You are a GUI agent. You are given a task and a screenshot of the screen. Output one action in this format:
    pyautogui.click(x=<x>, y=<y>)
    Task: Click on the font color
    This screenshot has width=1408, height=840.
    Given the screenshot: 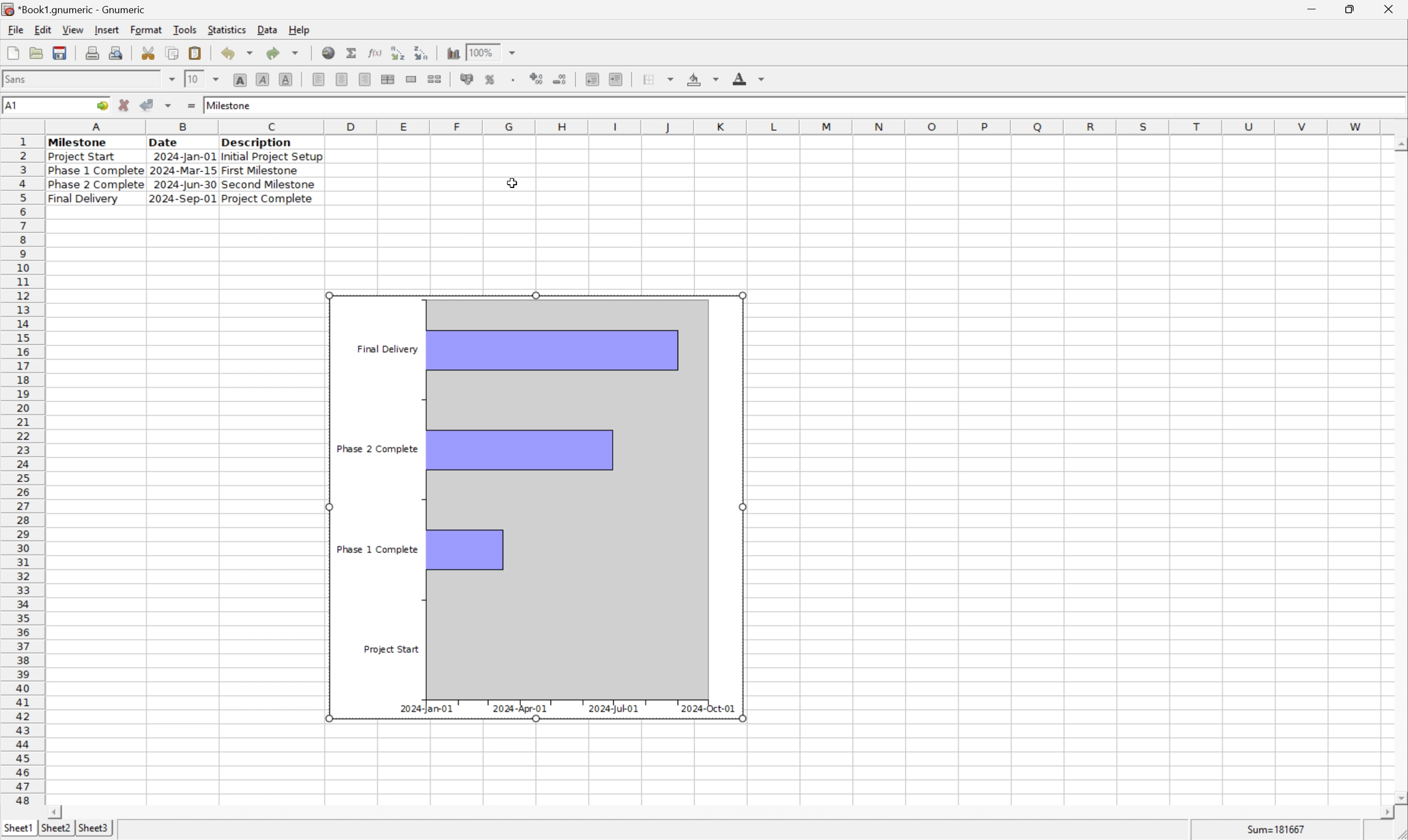 What is the action you would take?
    pyautogui.click(x=749, y=78)
    